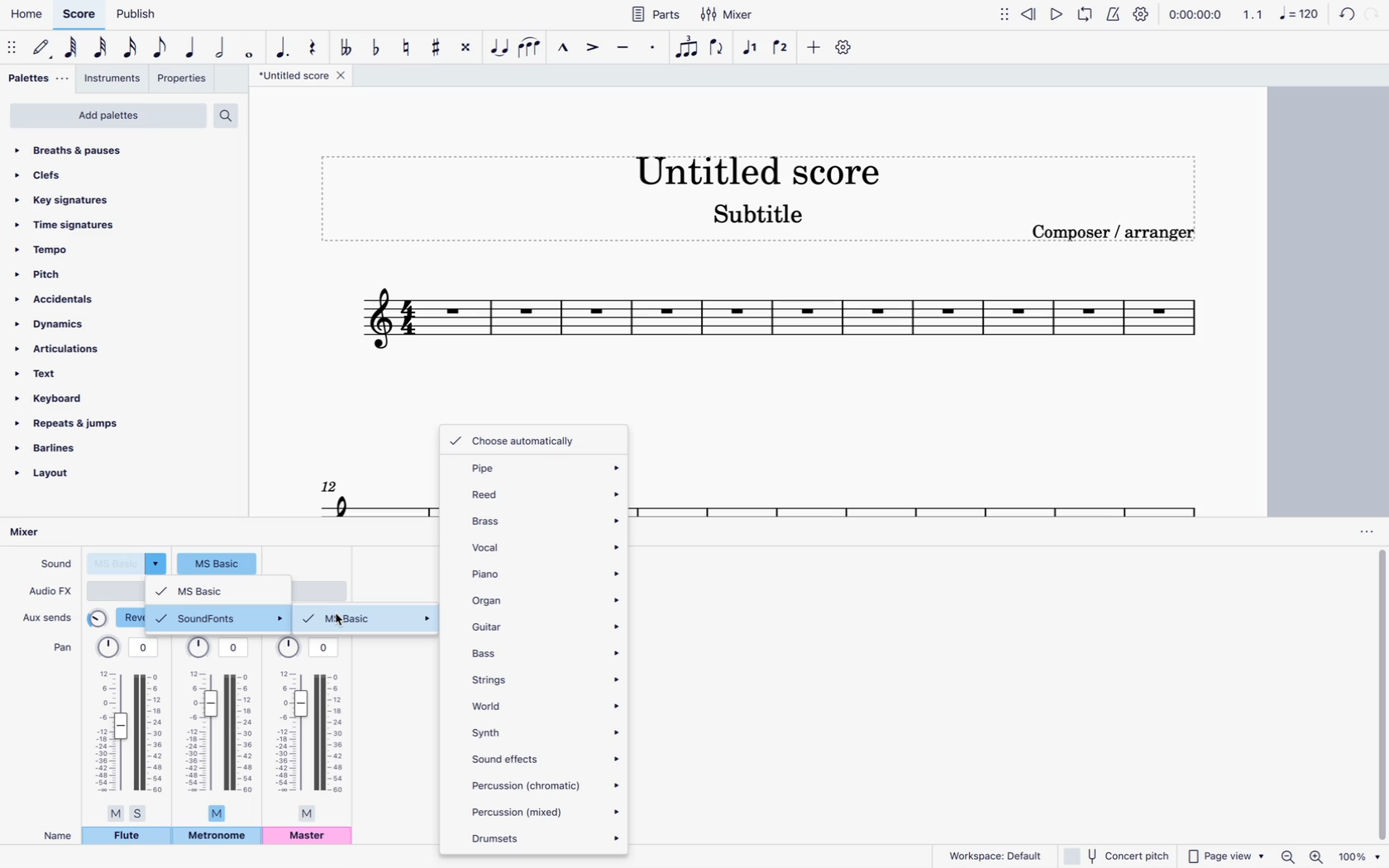 The width and height of the screenshot is (1389, 868). What do you see at coordinates (780, 324) in the screenshot?
I see `scale` at bounding box center [780, 324].